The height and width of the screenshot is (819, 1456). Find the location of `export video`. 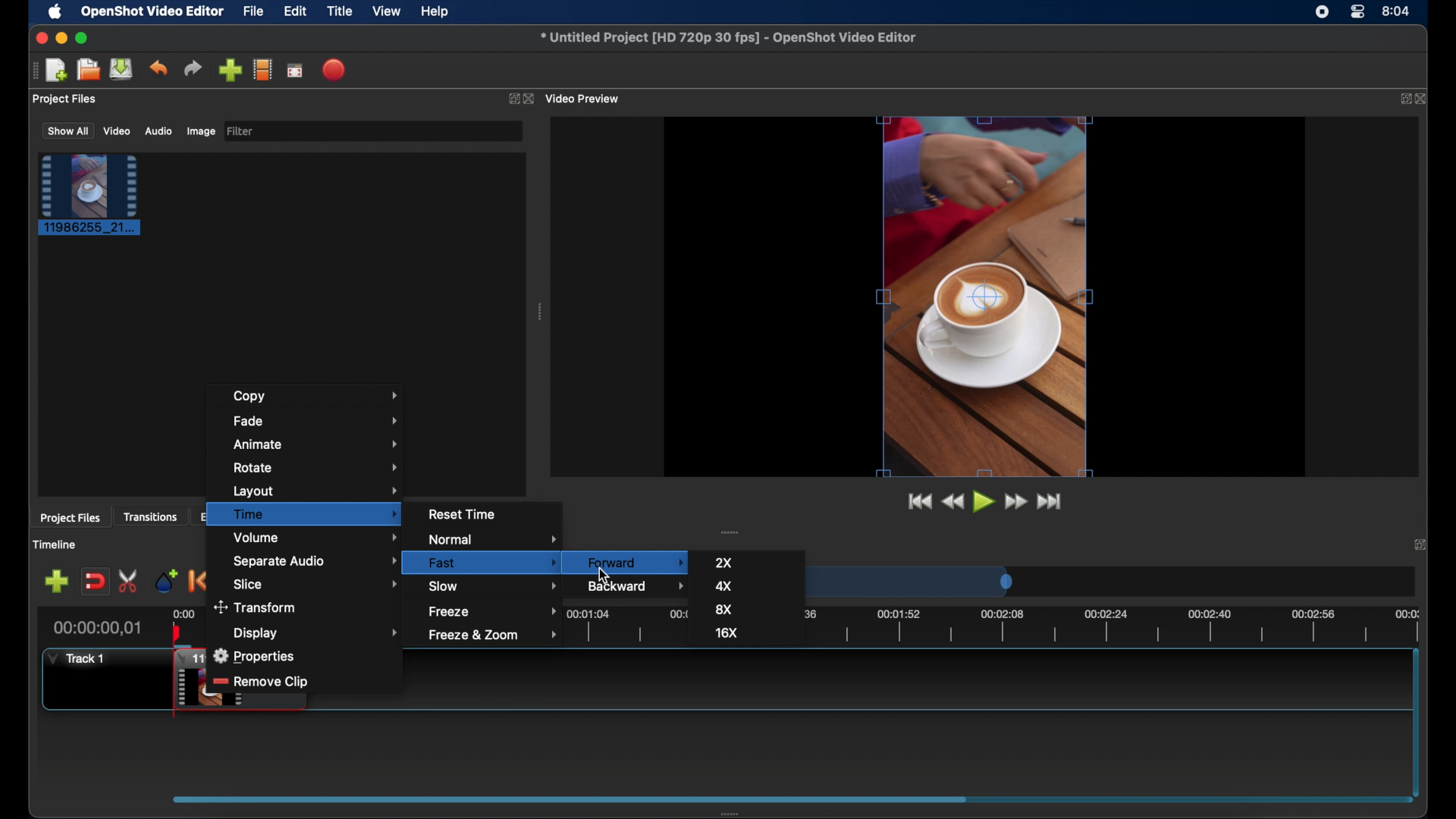

export video is located at coordinates (335, 70).